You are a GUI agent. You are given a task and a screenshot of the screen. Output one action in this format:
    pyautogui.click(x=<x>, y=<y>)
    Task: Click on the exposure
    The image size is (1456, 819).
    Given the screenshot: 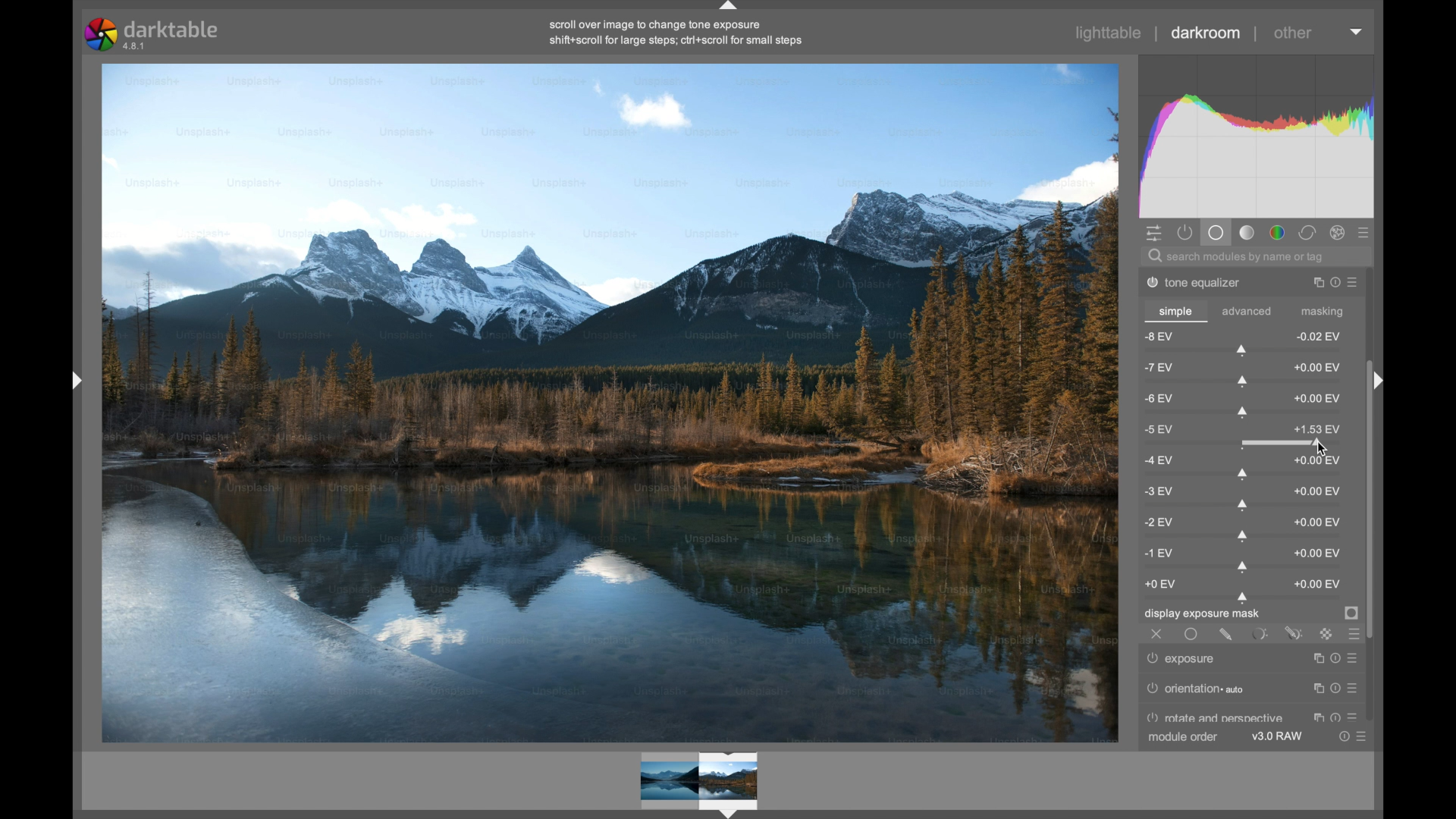 What is the action you would take?
    pyautogui.click(x=1182, y=659)
    